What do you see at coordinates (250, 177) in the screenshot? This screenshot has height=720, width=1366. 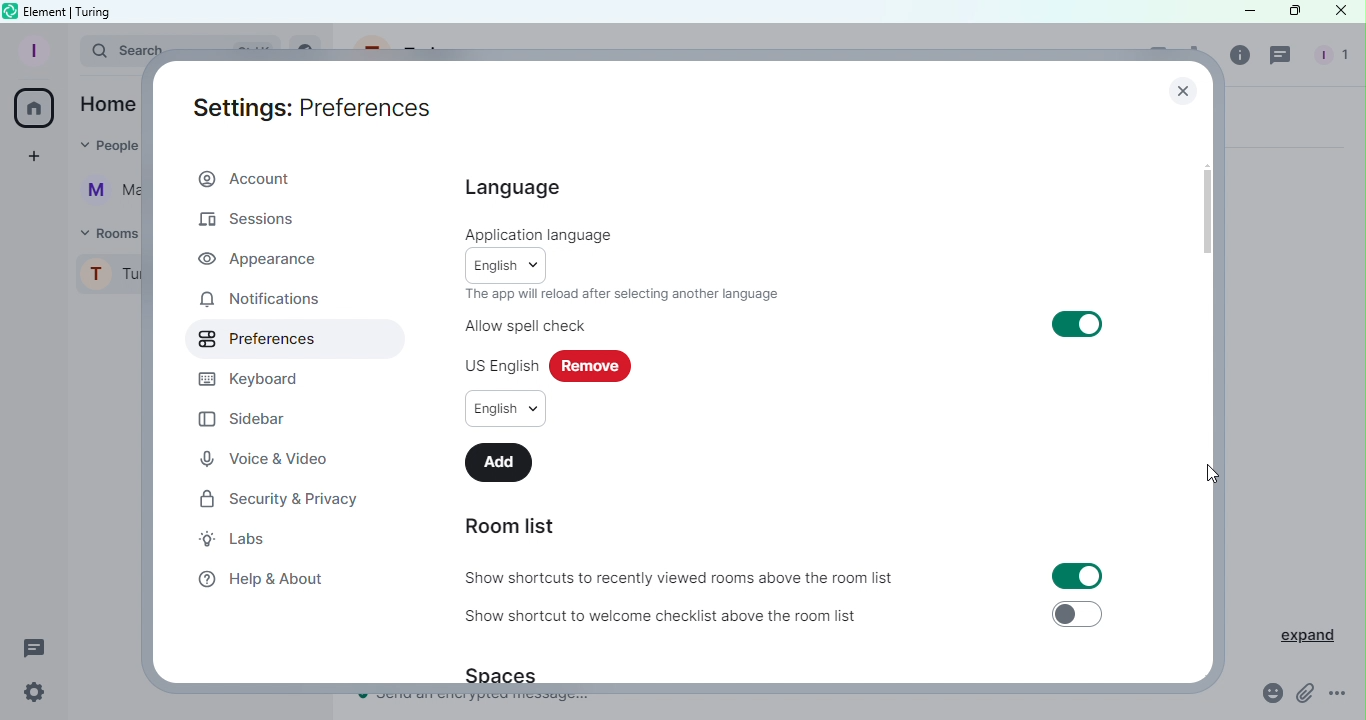 I see `Account` at bounding box center [250, 177].